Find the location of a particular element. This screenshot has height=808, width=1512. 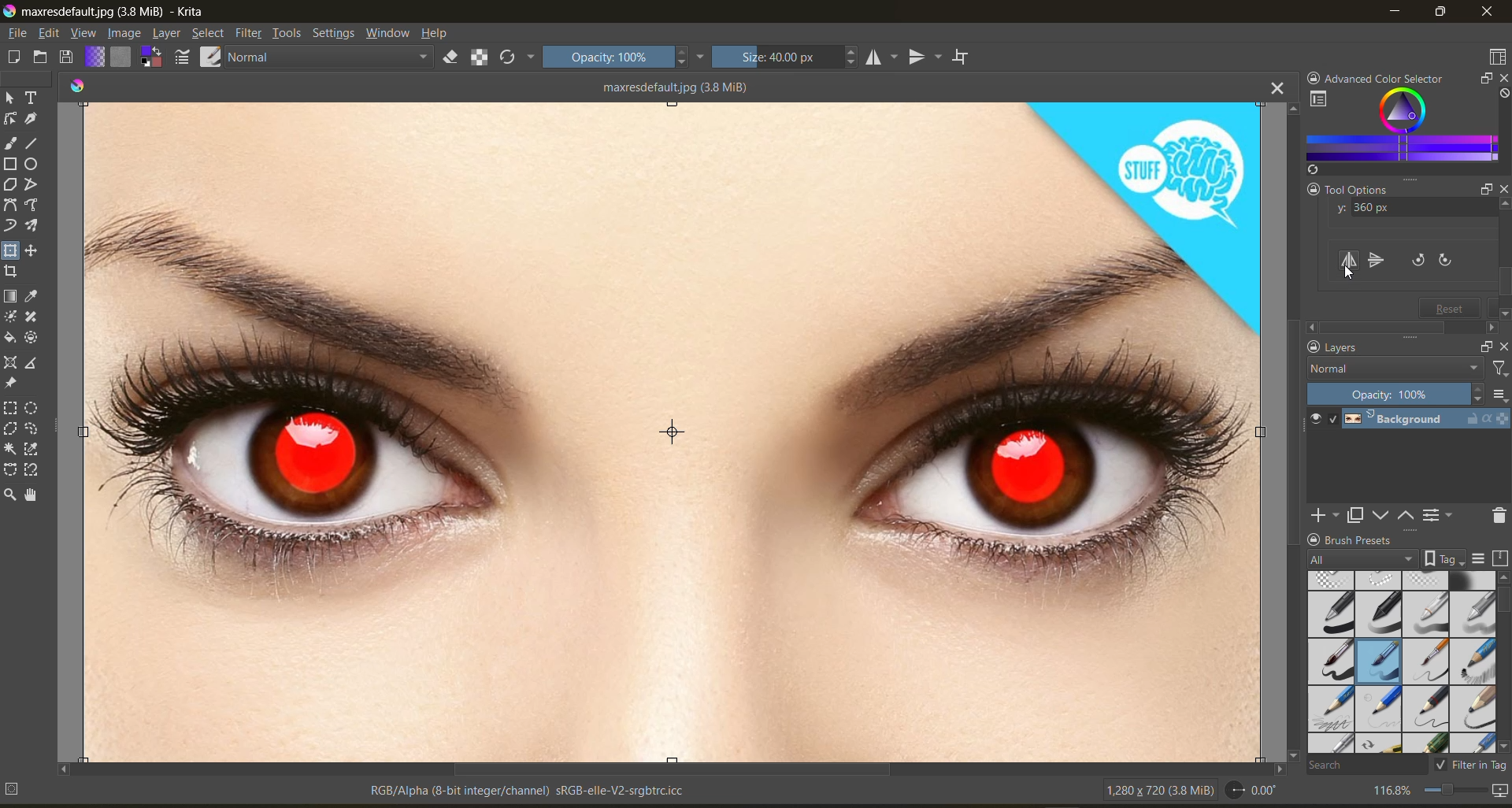

float docker is located at coordinates (1484, 345).